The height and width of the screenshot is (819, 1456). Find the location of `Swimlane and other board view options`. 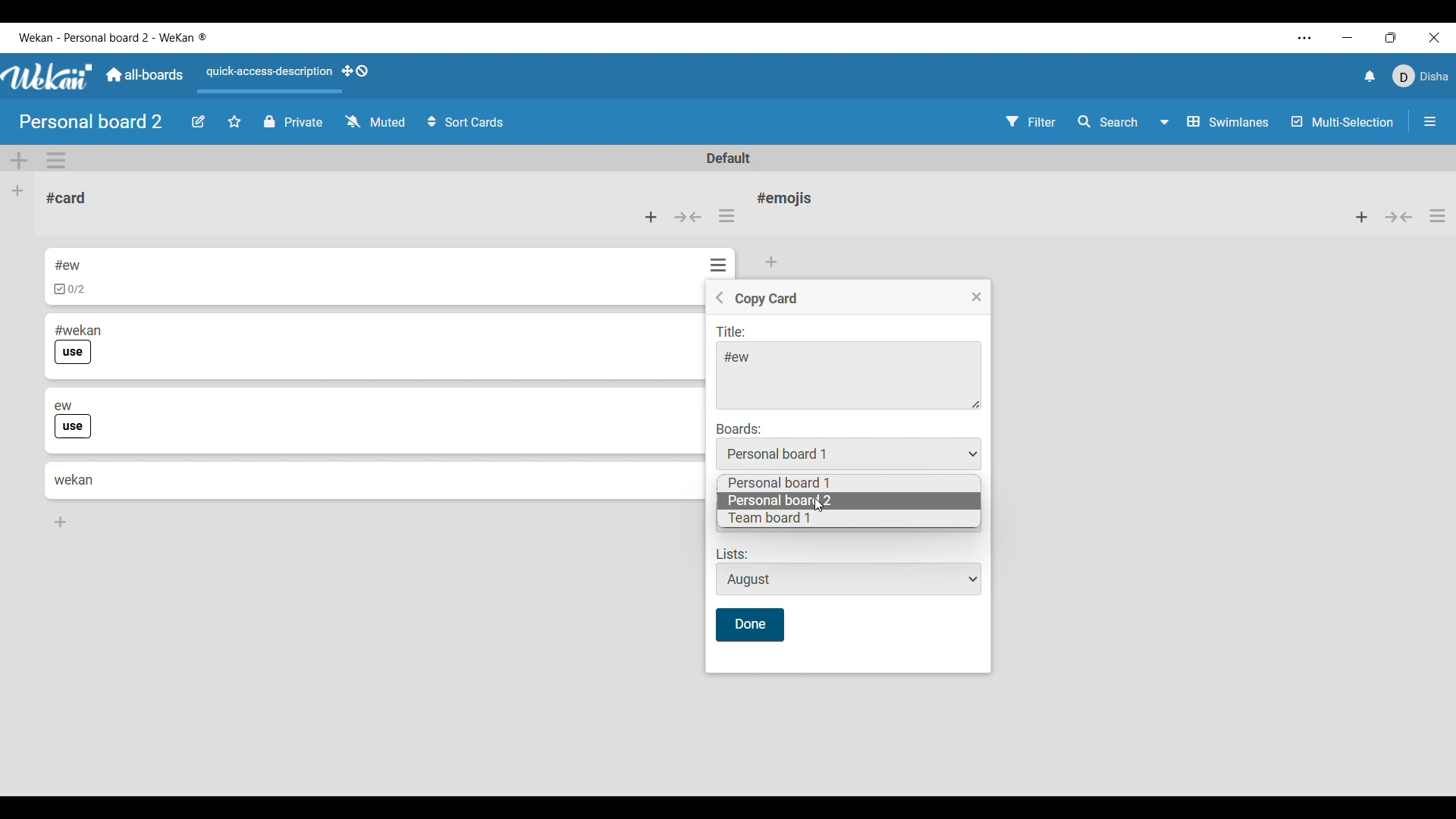

Swimlane and other board view options is located at coordinates (1216, 122).